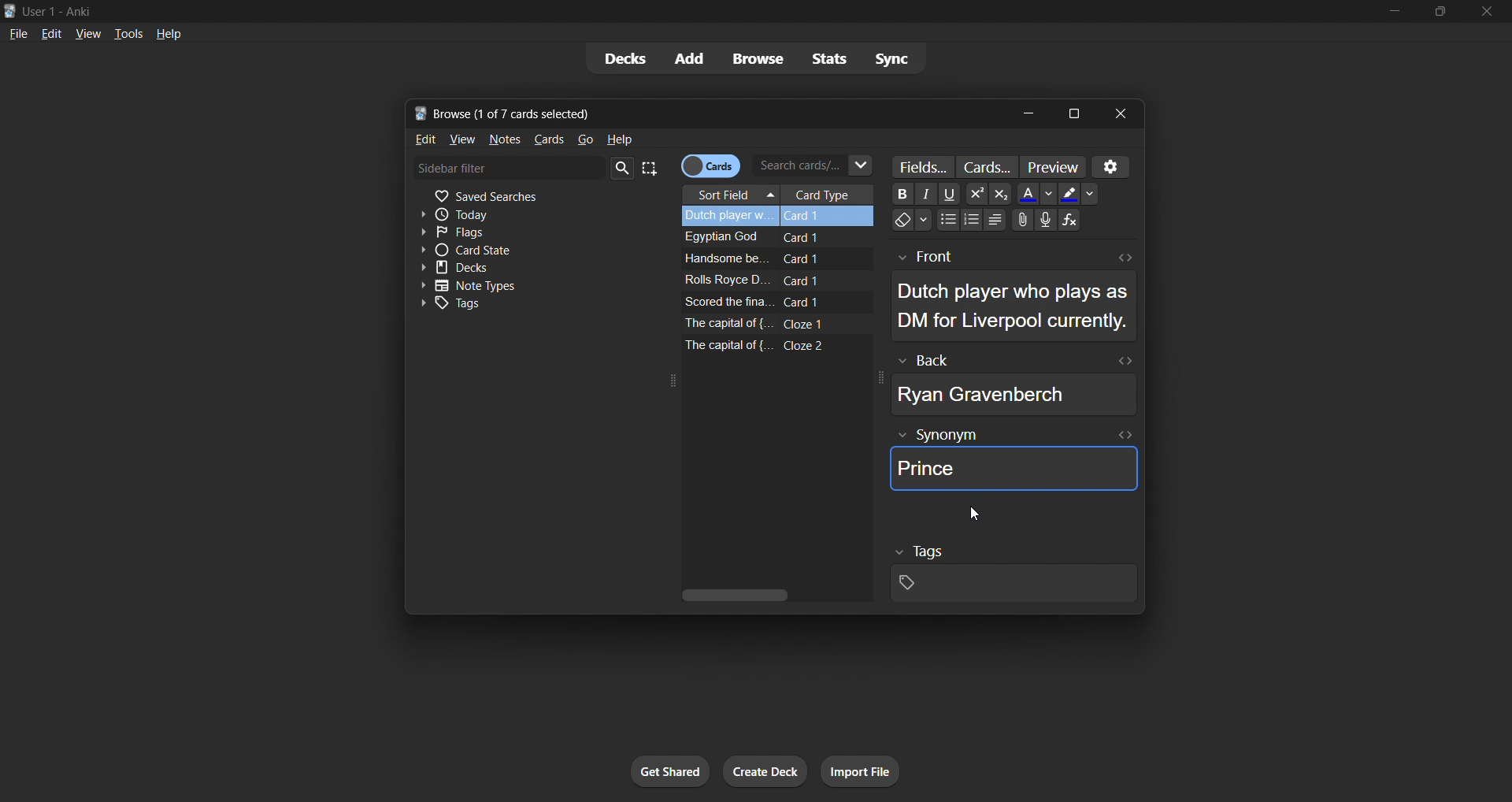 The image size is (1512, 802). Describe the element at coordinates (772, 594) in the screenshot. I see `vertical scroll bar` at that location.